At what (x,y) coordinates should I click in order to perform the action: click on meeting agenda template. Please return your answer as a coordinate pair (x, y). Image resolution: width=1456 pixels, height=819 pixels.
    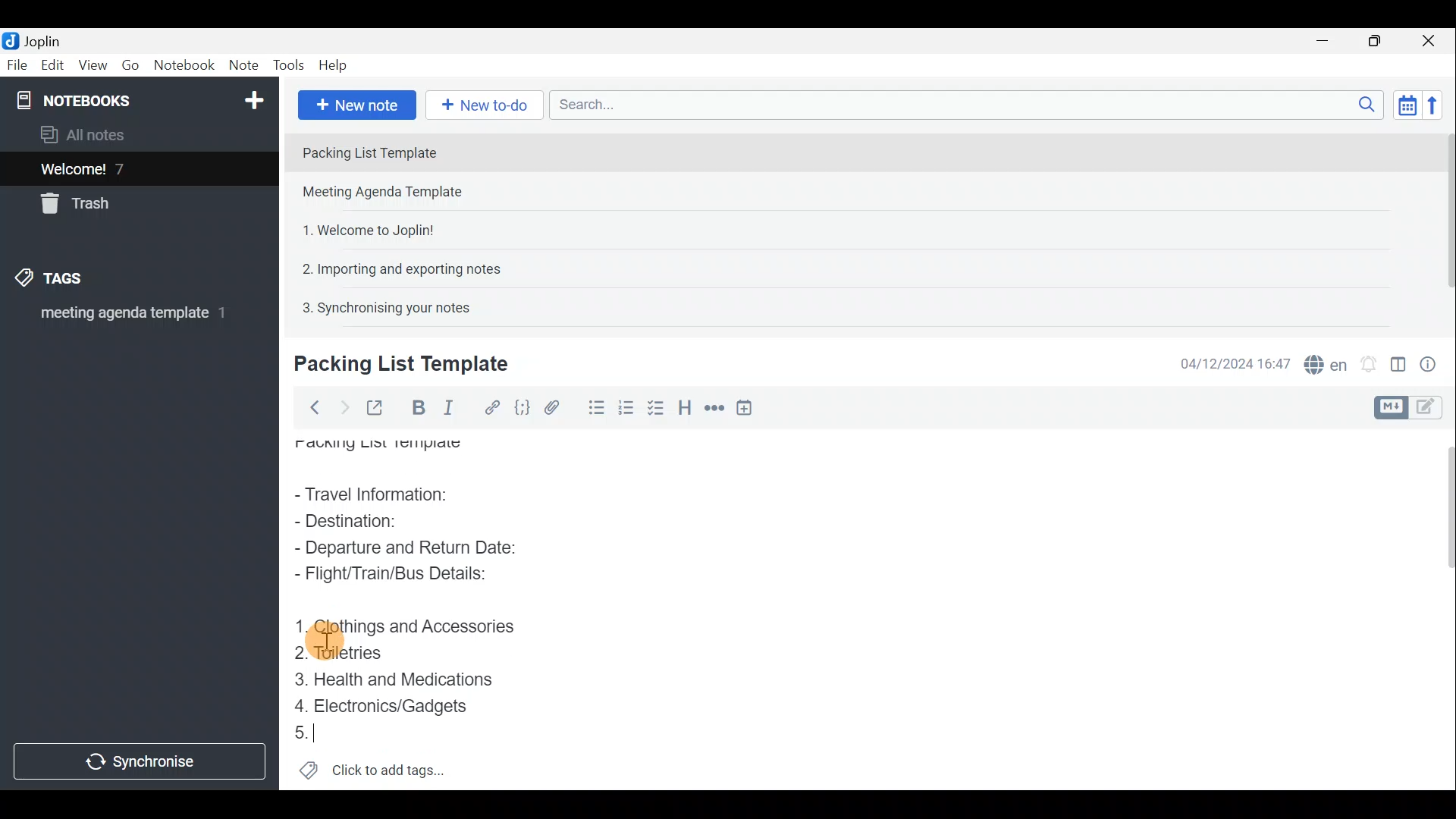
    Looking at the image, I should click on (130, 318).